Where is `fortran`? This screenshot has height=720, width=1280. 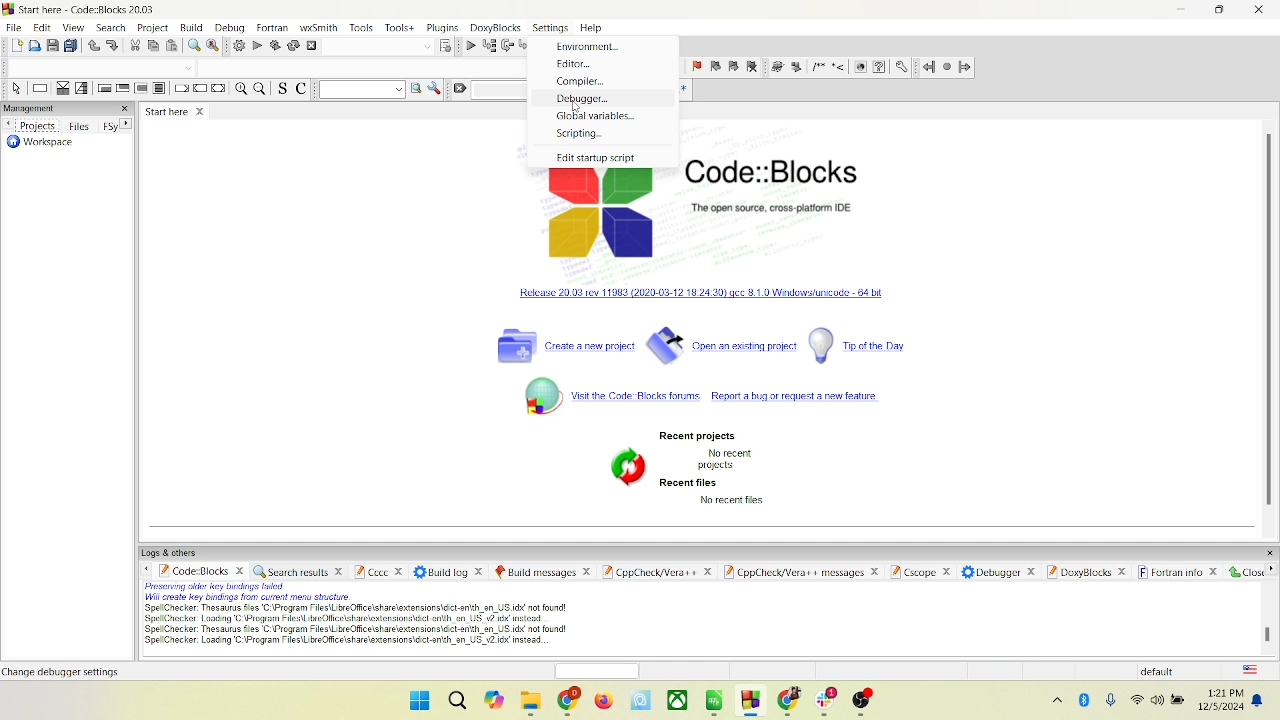 fortran is located at coordinates (274, 28).